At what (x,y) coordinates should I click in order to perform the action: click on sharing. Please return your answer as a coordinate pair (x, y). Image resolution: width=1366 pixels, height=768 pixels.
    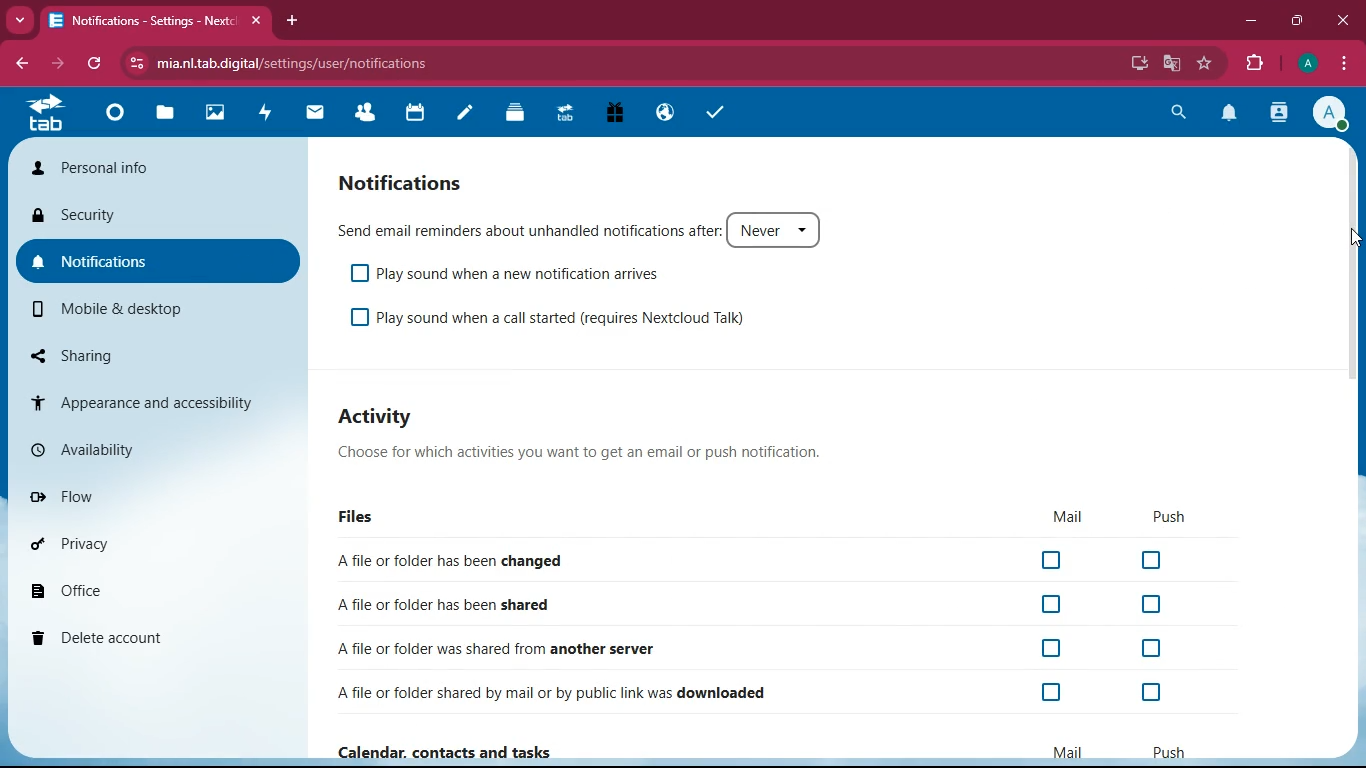
    Looking at the image, I should click on (152, 355).